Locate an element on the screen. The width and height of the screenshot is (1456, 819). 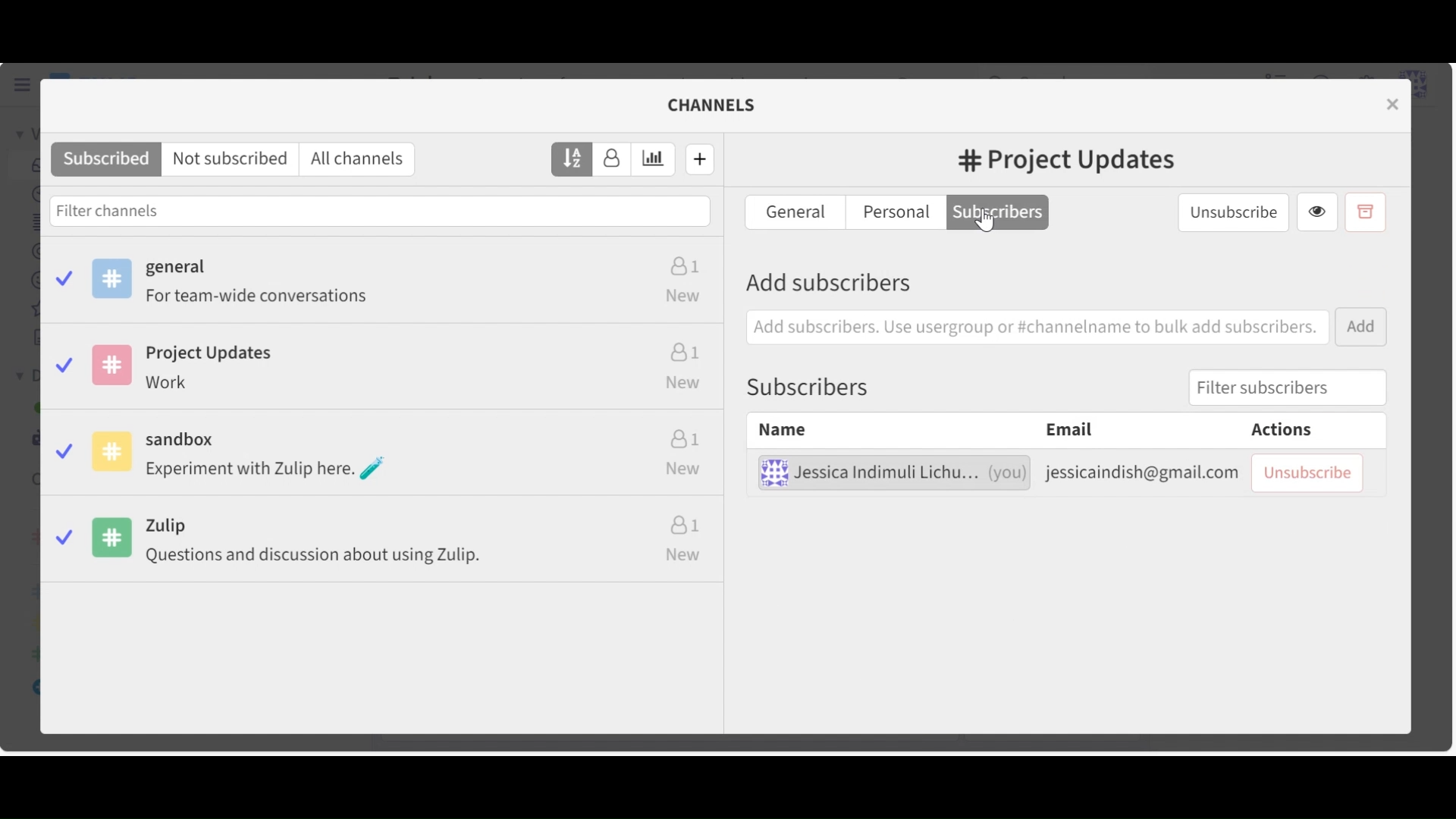
Cursor is located at coordinates (989, 224).